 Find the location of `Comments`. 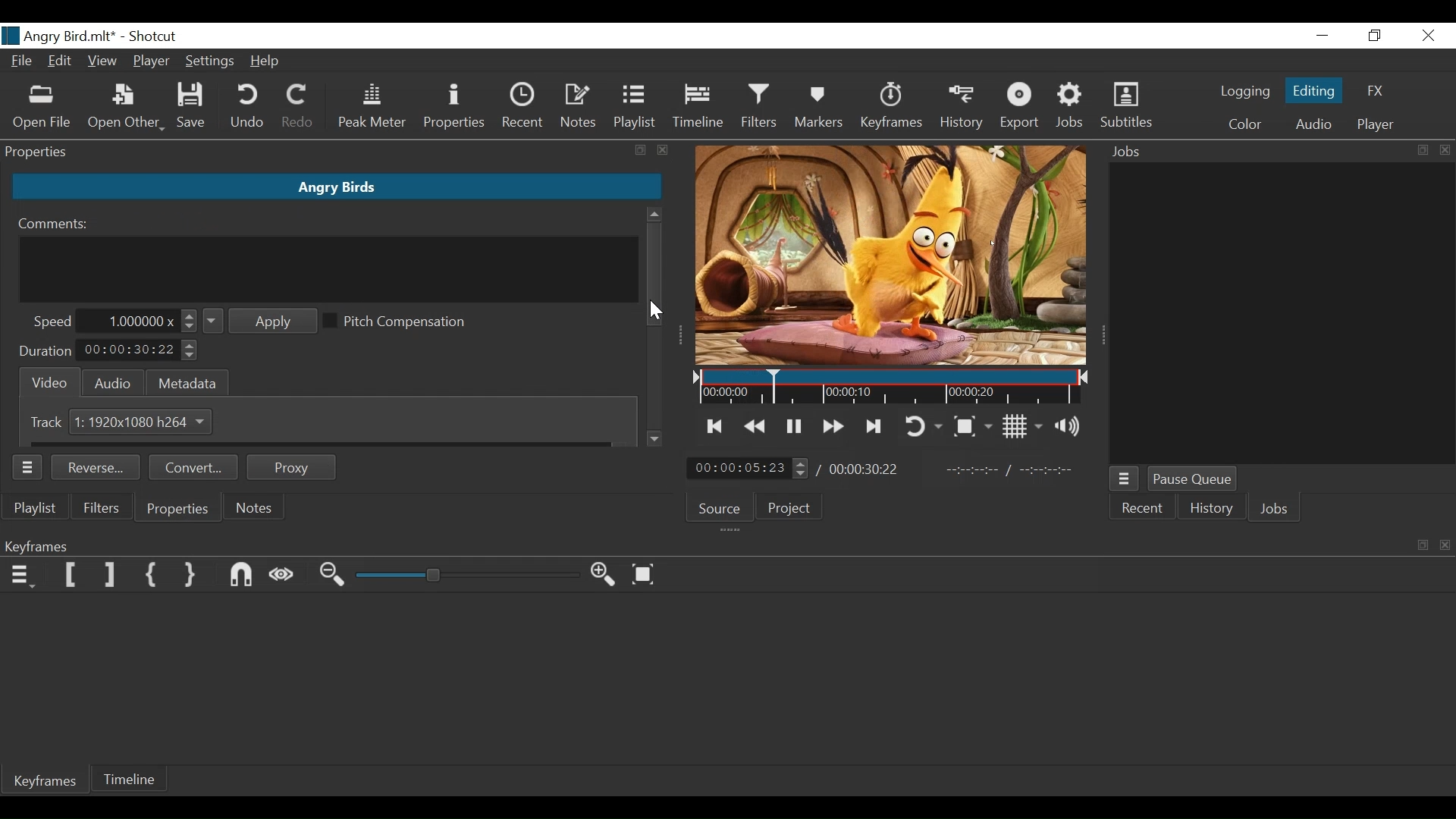

Comments is located at coordinates (55, 224).